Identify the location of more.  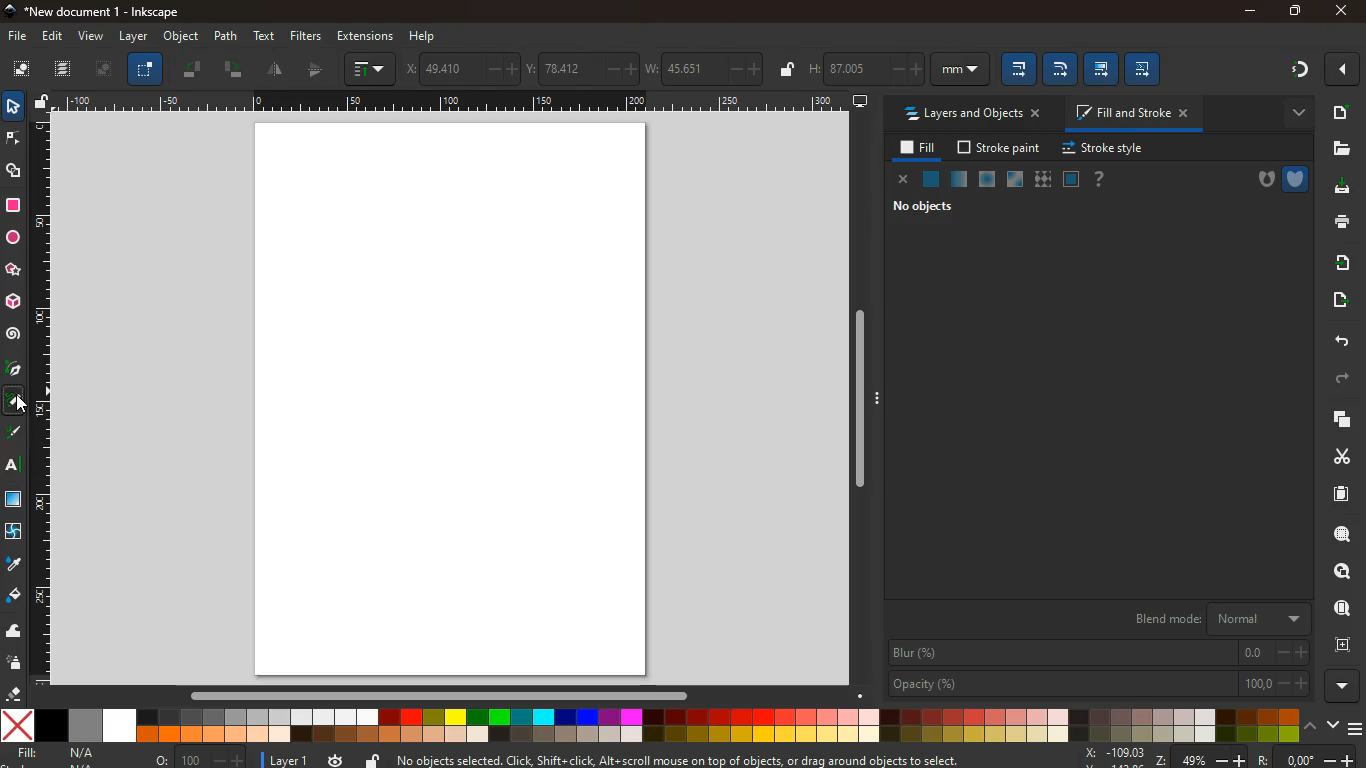
(1343, 686).